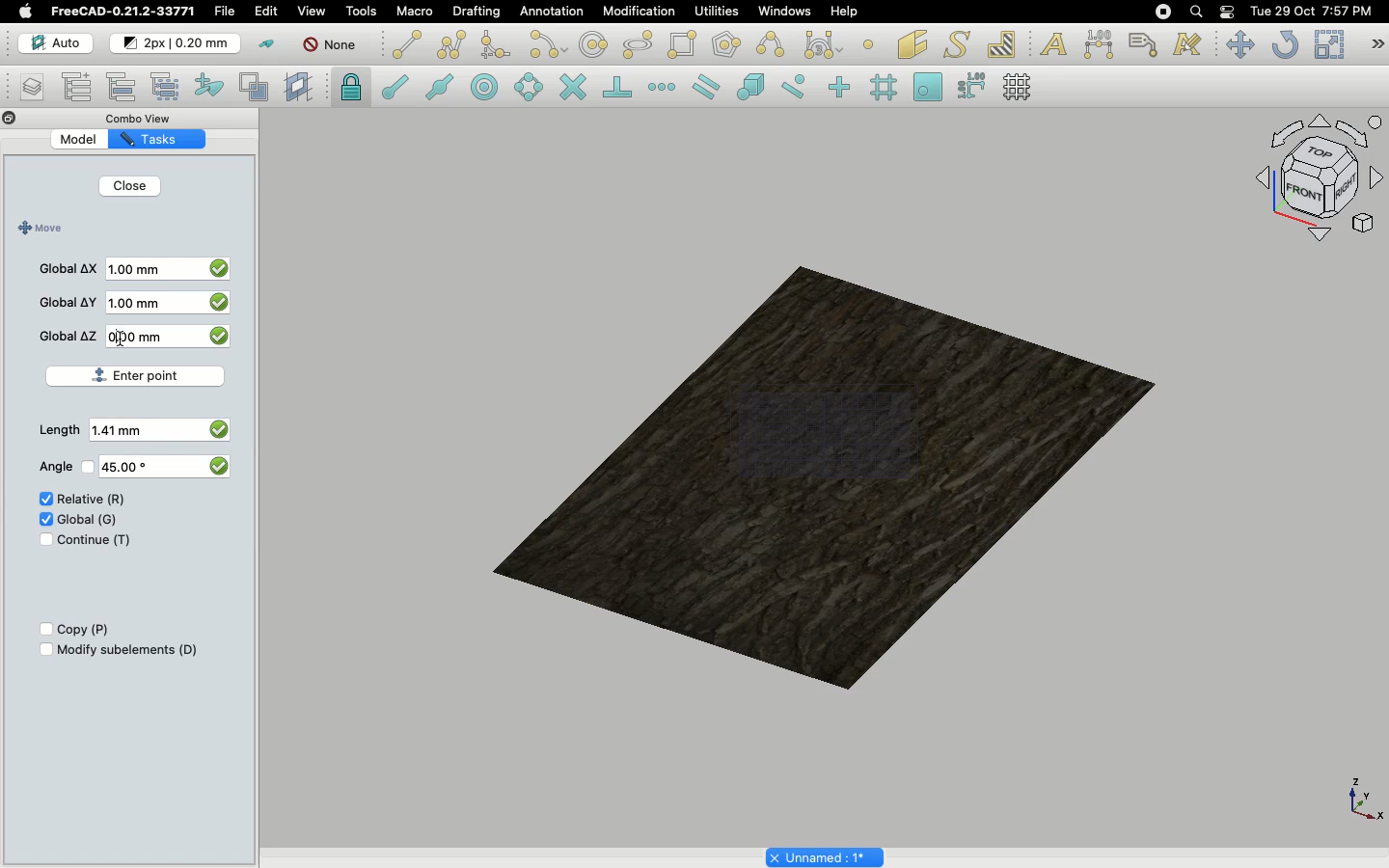  I want to click on Rectangle, so click(686, 45).